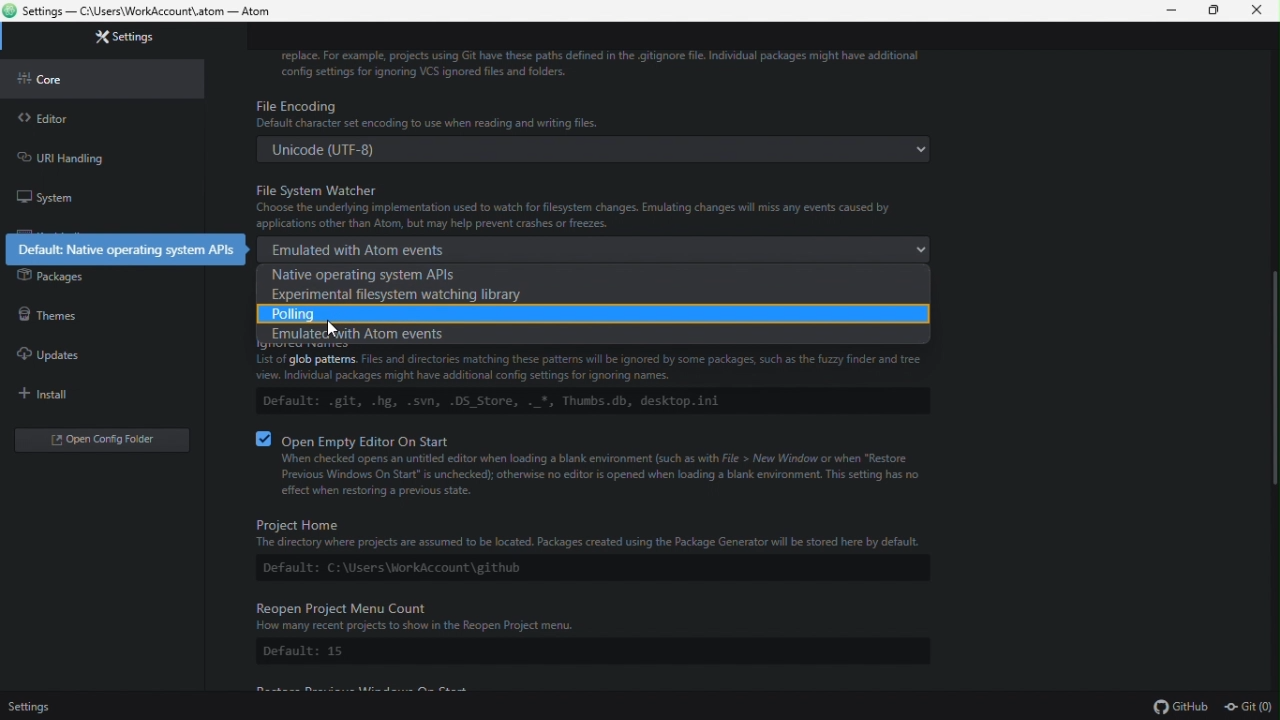  Describe the element at coordinates (590, 112) in the screenshot. I see `File Encoding Default character st encoding to use when reading and writing files.` at that location.